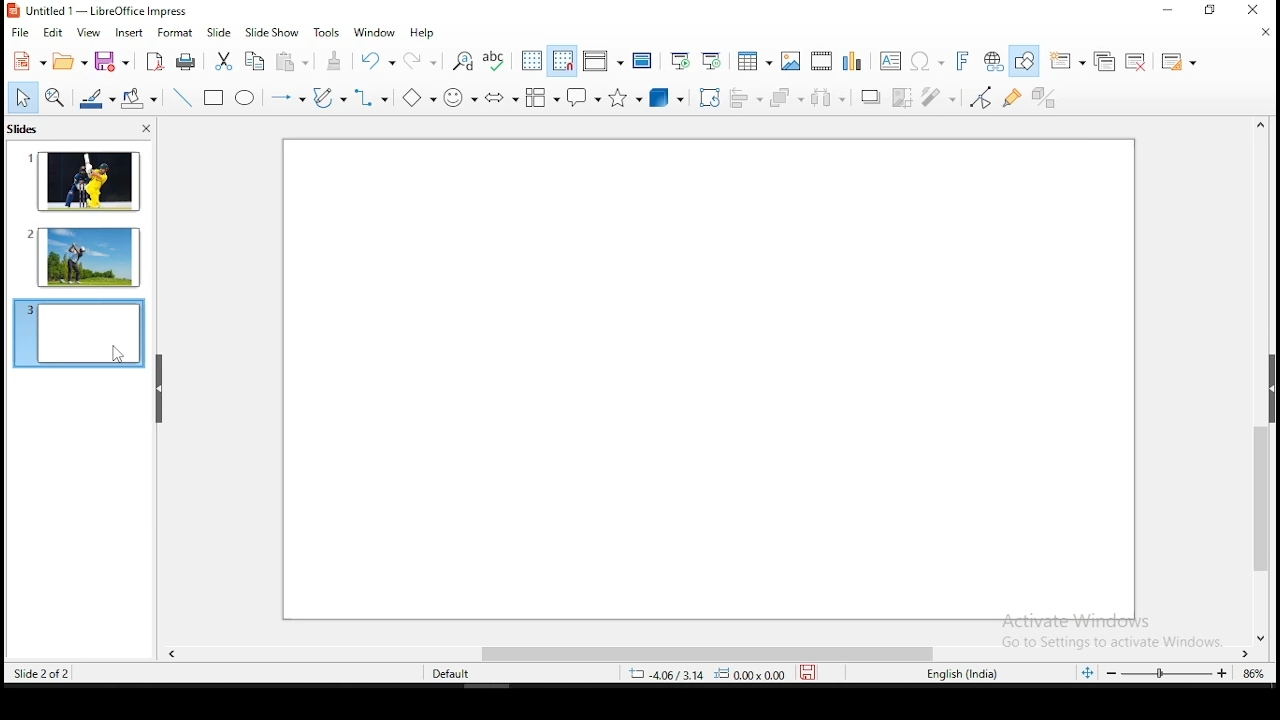 The width and height of the screenshot is (1280, 720). I want to click on show gluepoint functions, so click(1013, 97).